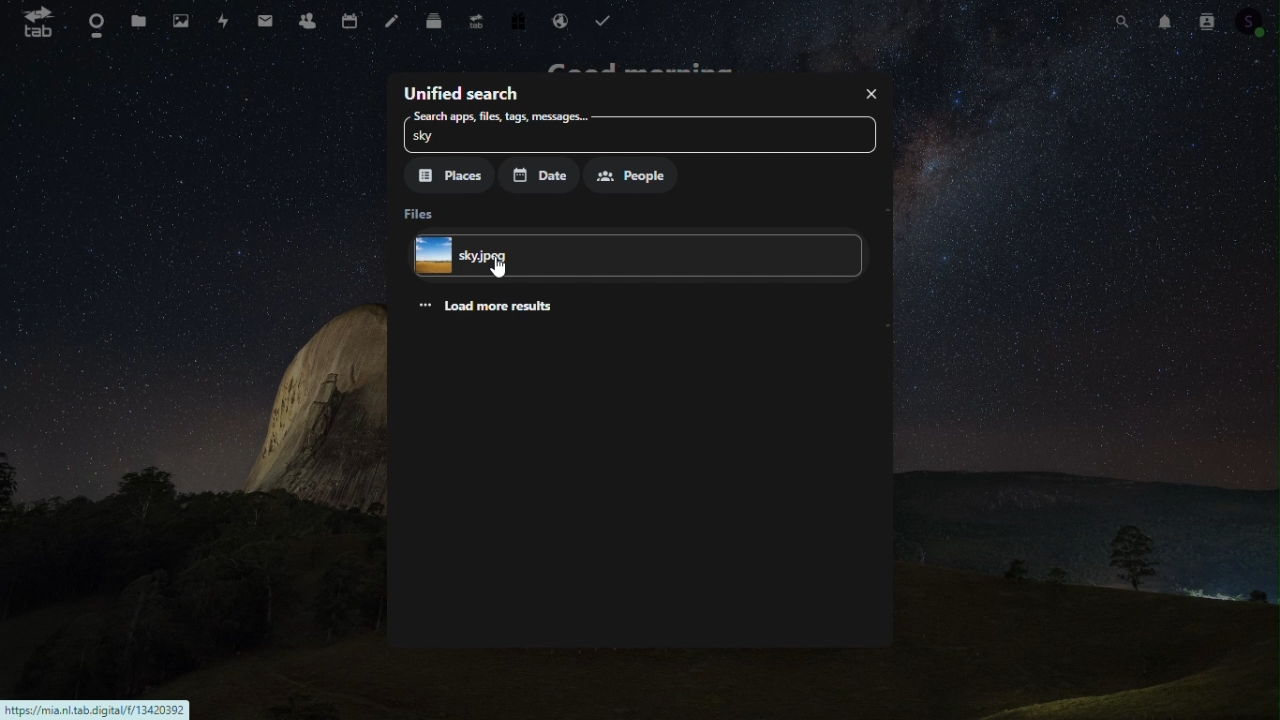 This screenshot has height=720, width=1280. Describe the element at coordinates (449, 177) in the screenshot. I see `Places` at that location.